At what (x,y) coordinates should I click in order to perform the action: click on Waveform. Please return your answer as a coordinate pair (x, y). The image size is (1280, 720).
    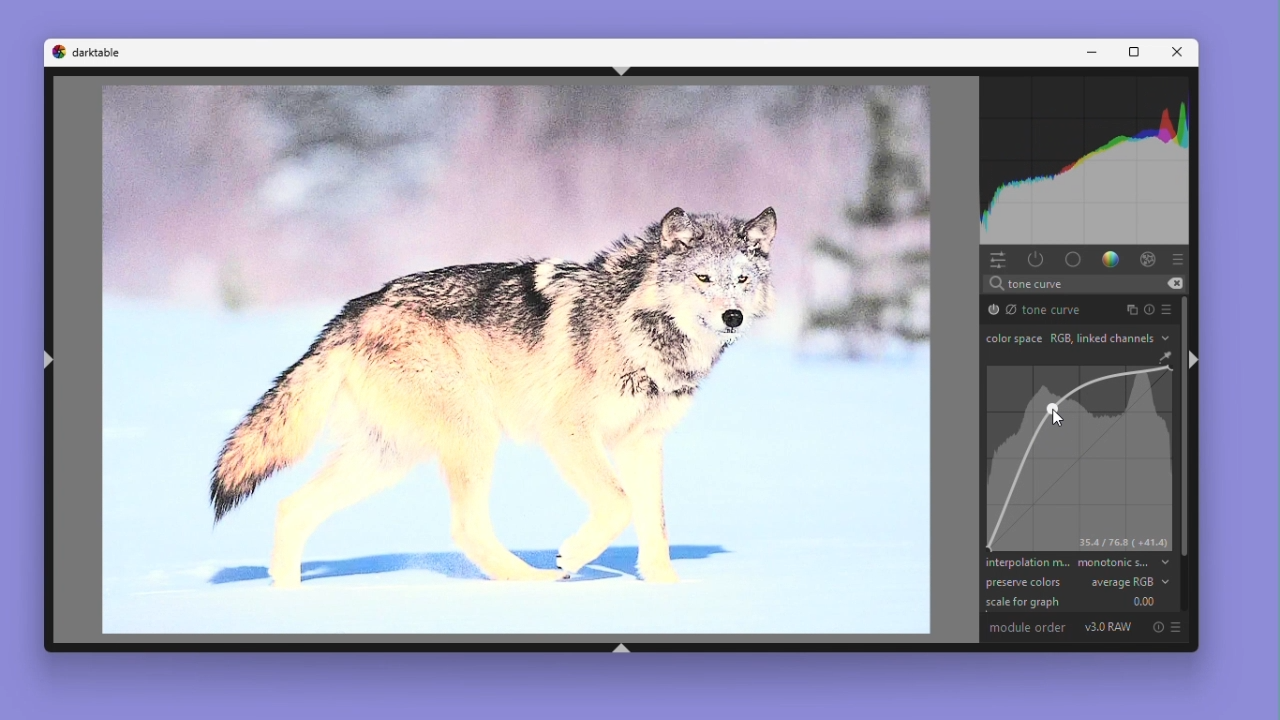
    Looking at the image, I should click on (1086, 163).